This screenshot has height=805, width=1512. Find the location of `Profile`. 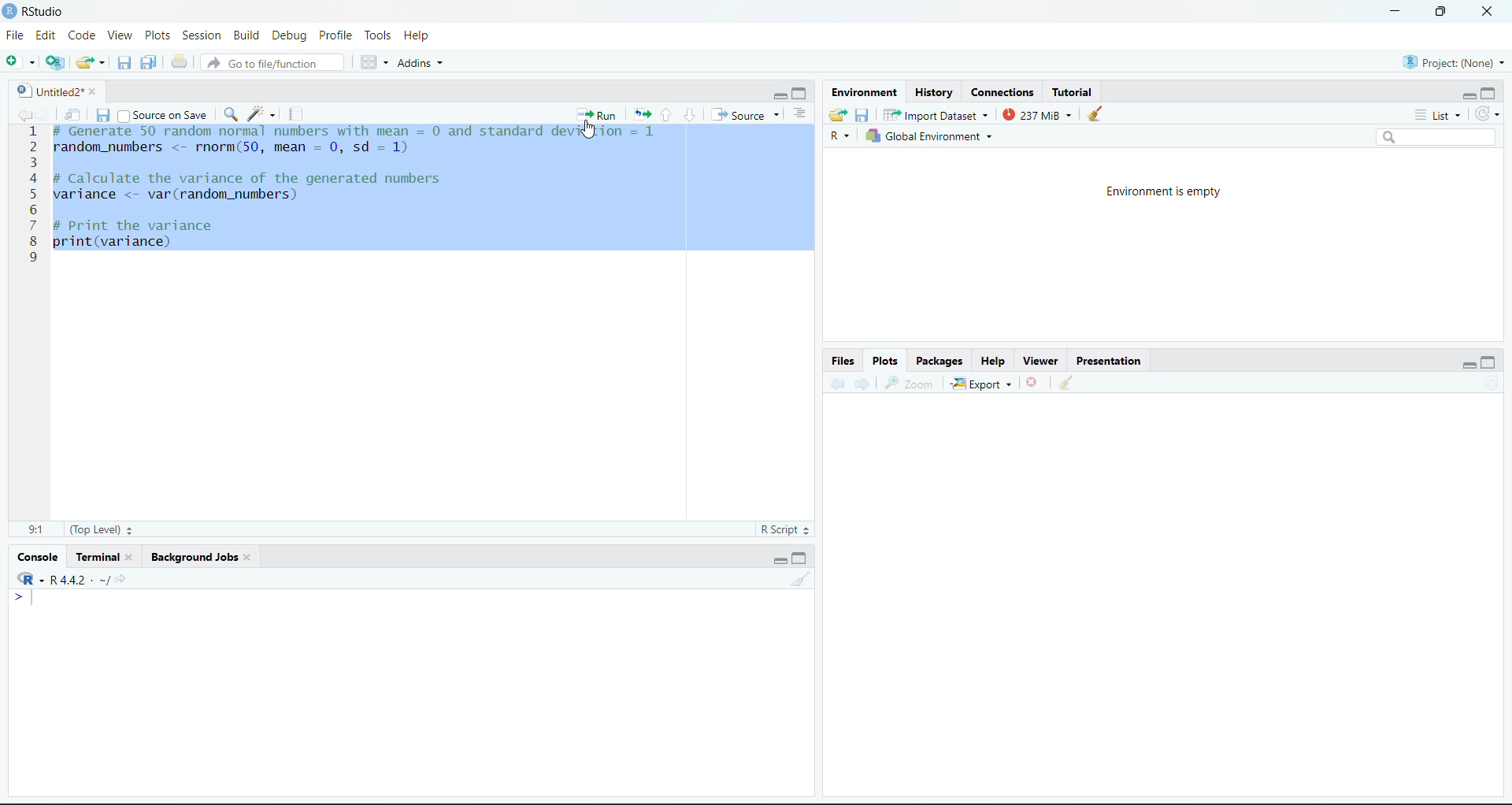

Profile is located at coordinates (337, 35).